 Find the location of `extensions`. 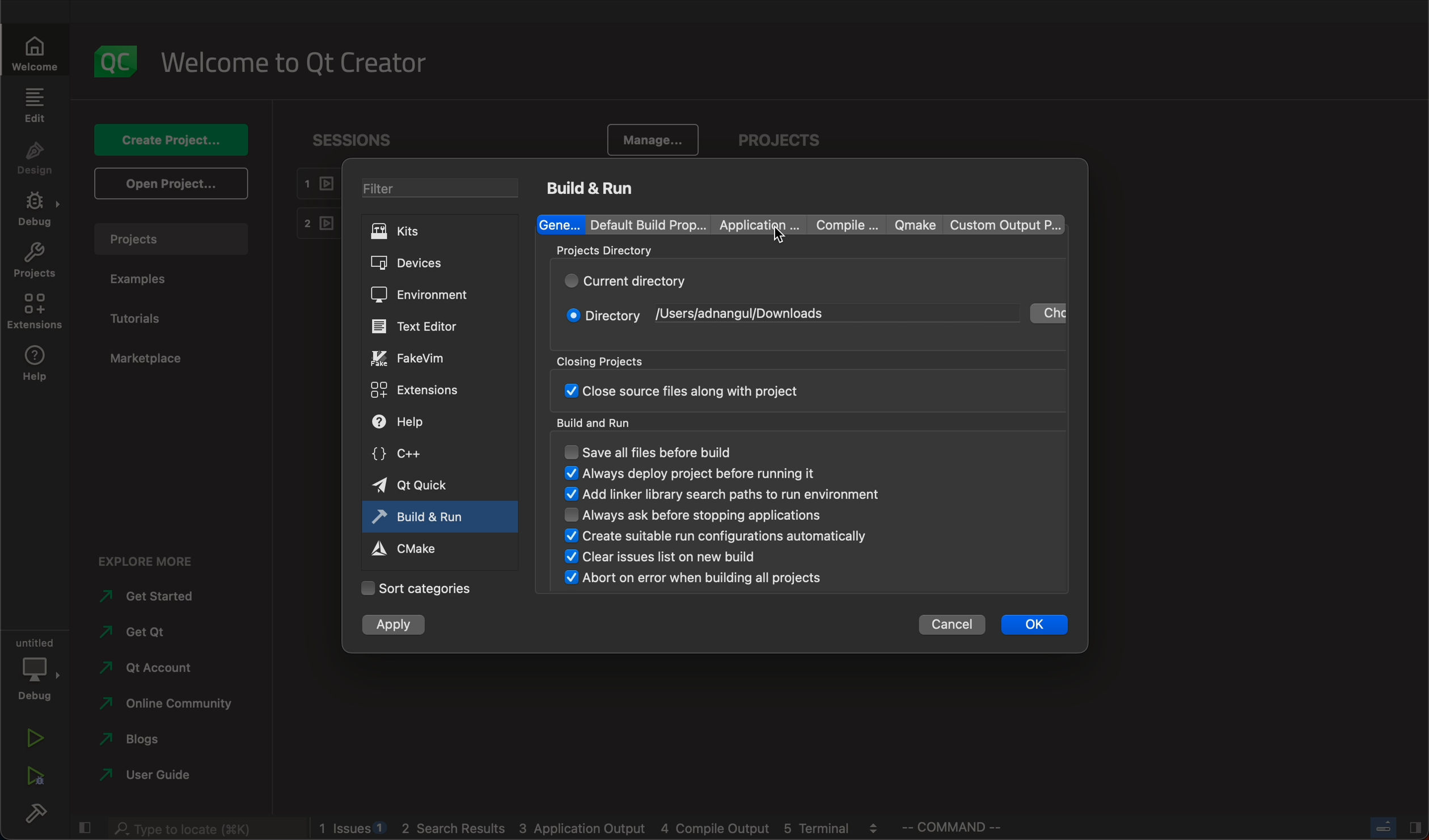

extensions is located at coordinates (33, 313).